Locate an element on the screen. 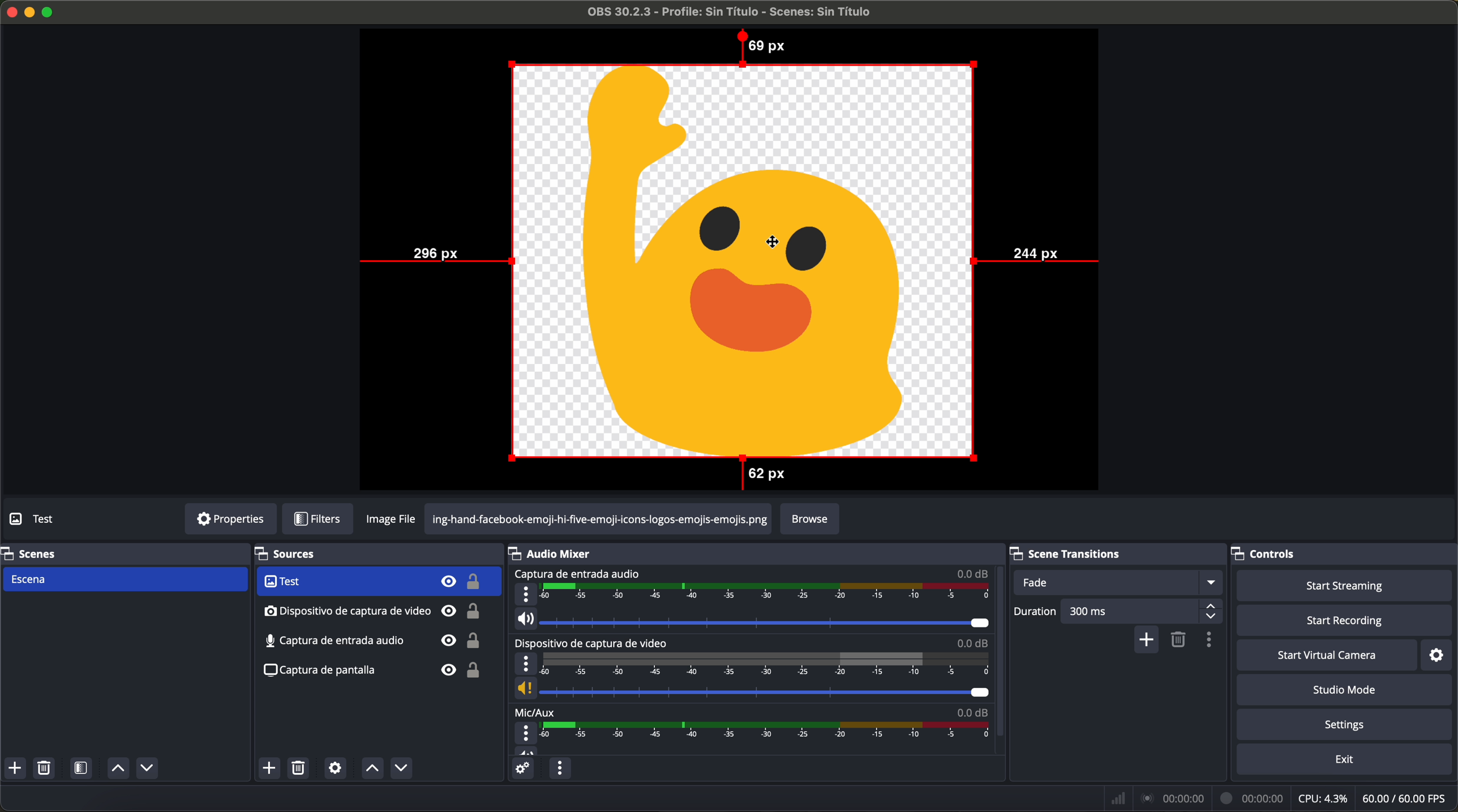  filters is located at coordinates (317, 519).